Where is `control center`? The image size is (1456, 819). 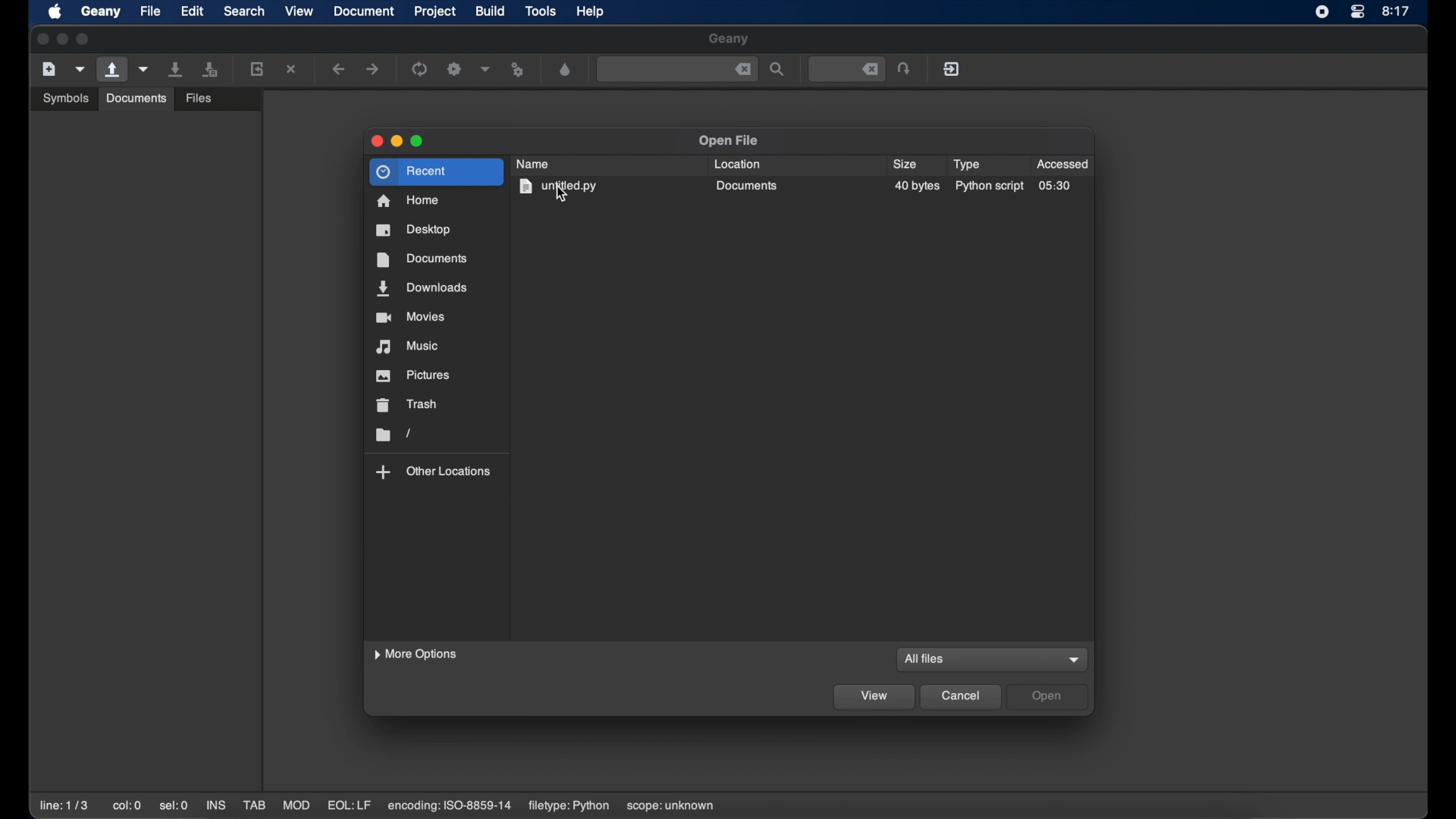
control center is located at coordinates (1357, 12).